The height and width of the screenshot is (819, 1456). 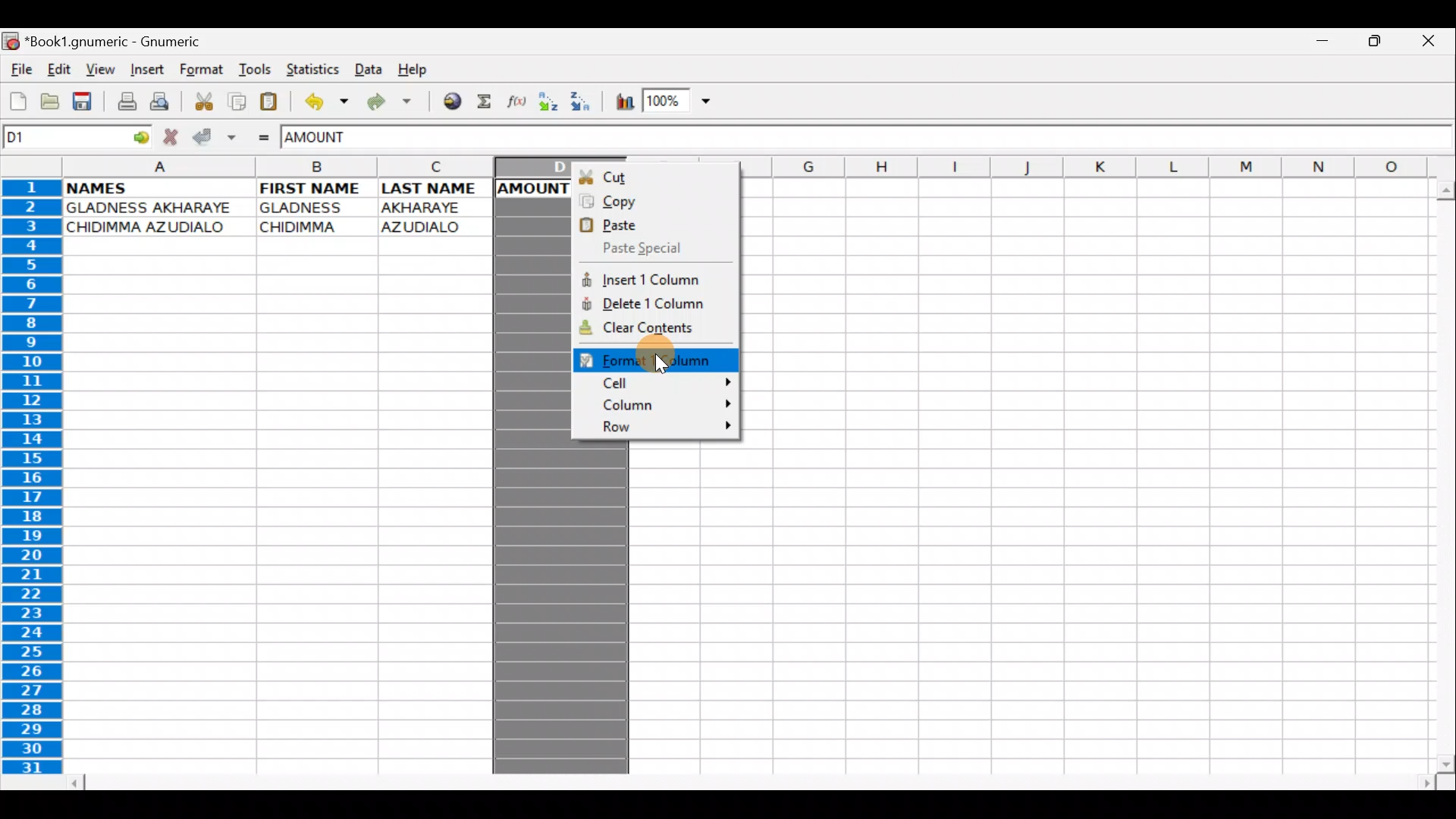 What do you see at coordinates (153, 227) in the screenshot?
I see `CHIDIMMA AZUDIALO` at bounding box center [153, 227].